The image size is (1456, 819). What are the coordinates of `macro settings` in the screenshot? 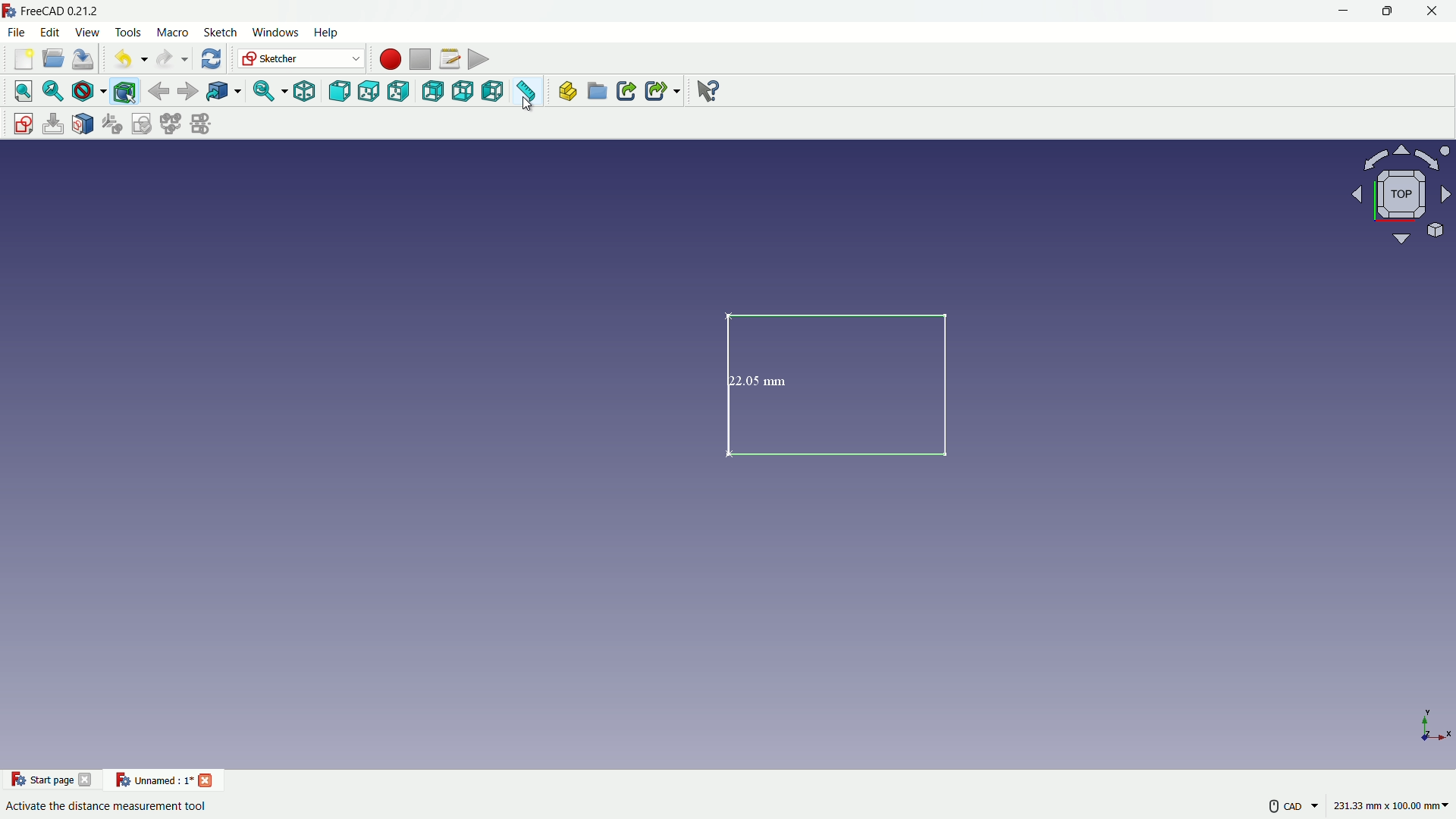 It's located at (445, 60).